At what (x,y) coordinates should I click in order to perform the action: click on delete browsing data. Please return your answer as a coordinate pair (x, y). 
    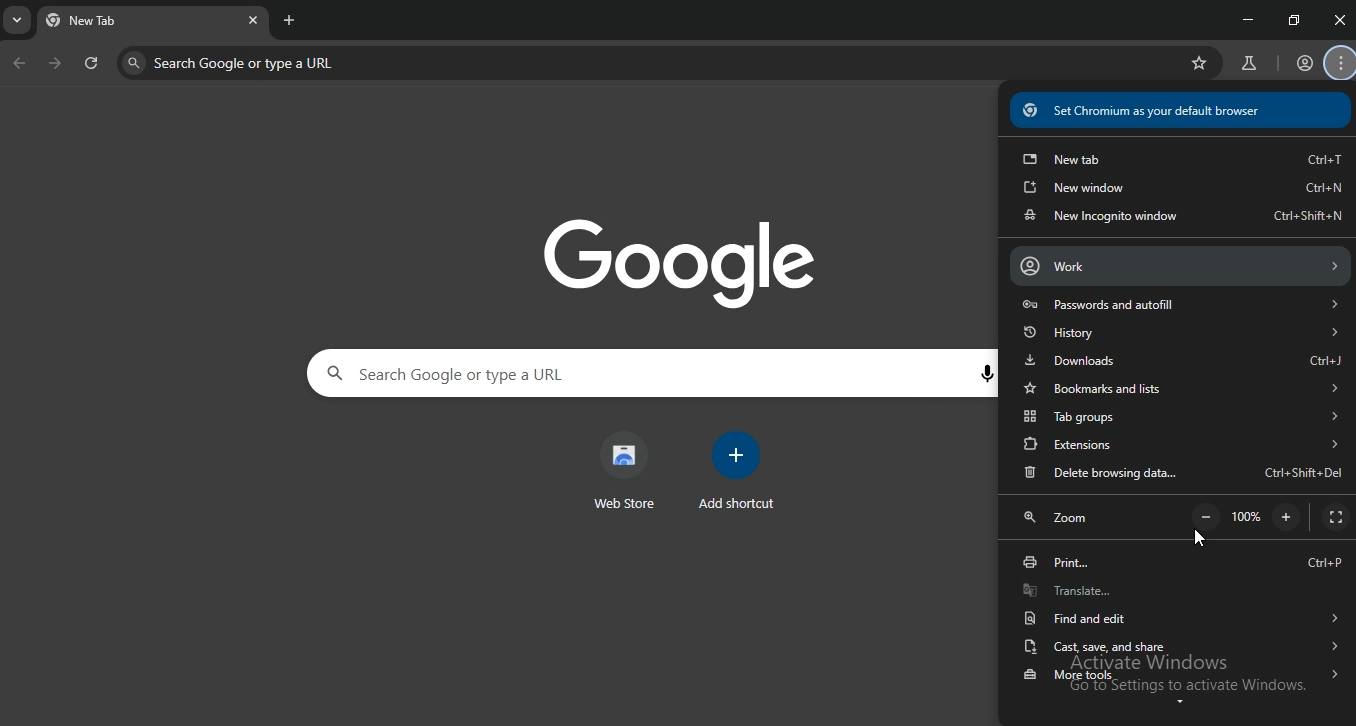
    Looking at the image, I should click on (1179, 473).